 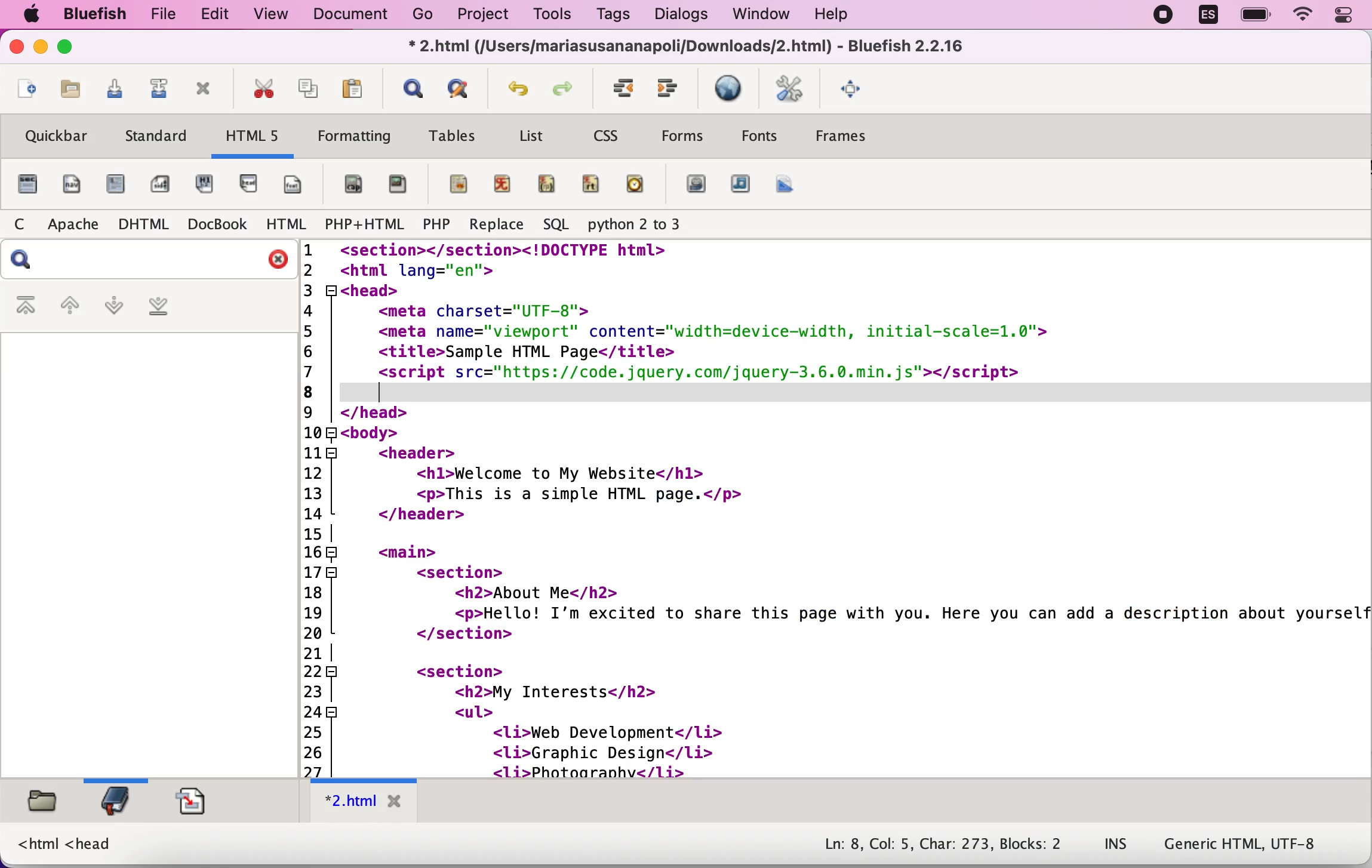 I want to click on bookmarks, so click(x=120, y=805).